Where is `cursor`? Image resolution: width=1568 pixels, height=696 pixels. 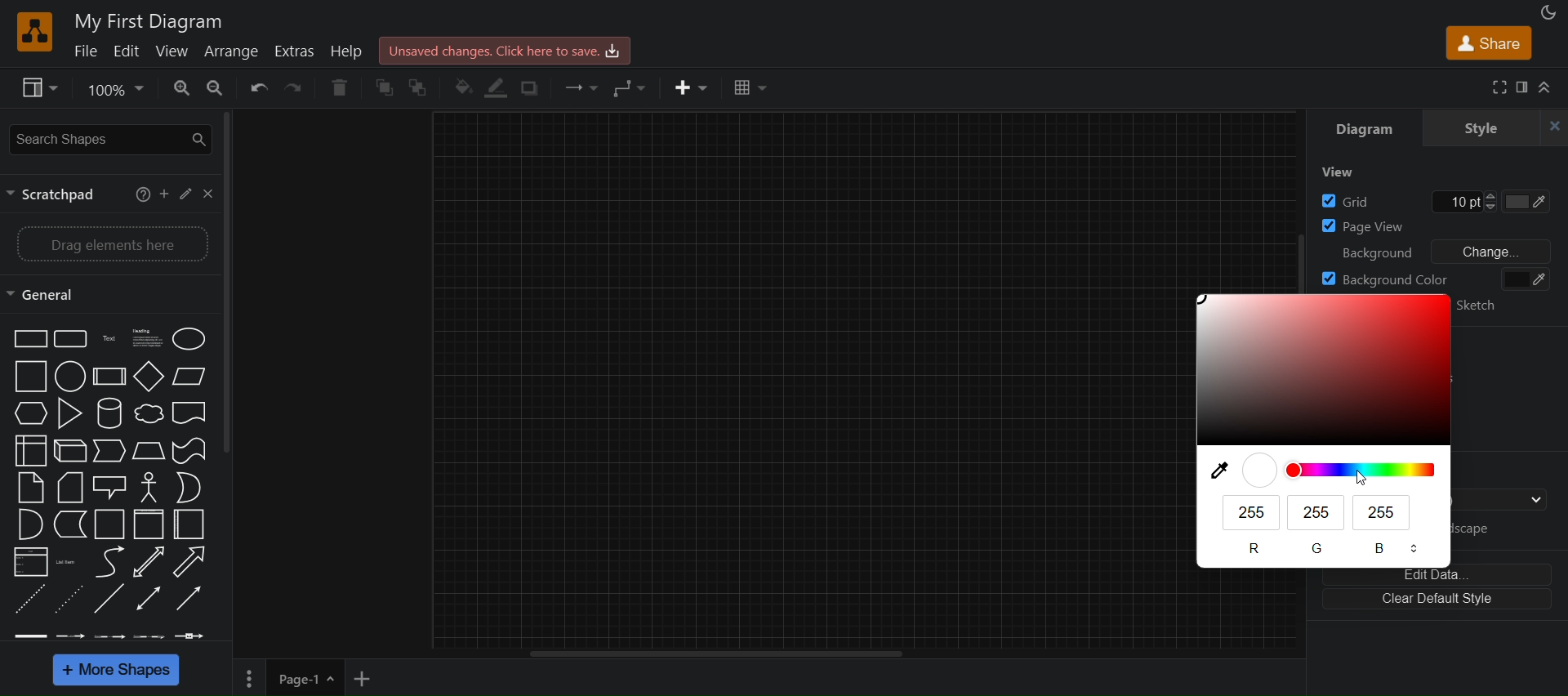 cursor is located at coordinates (1361, 478).